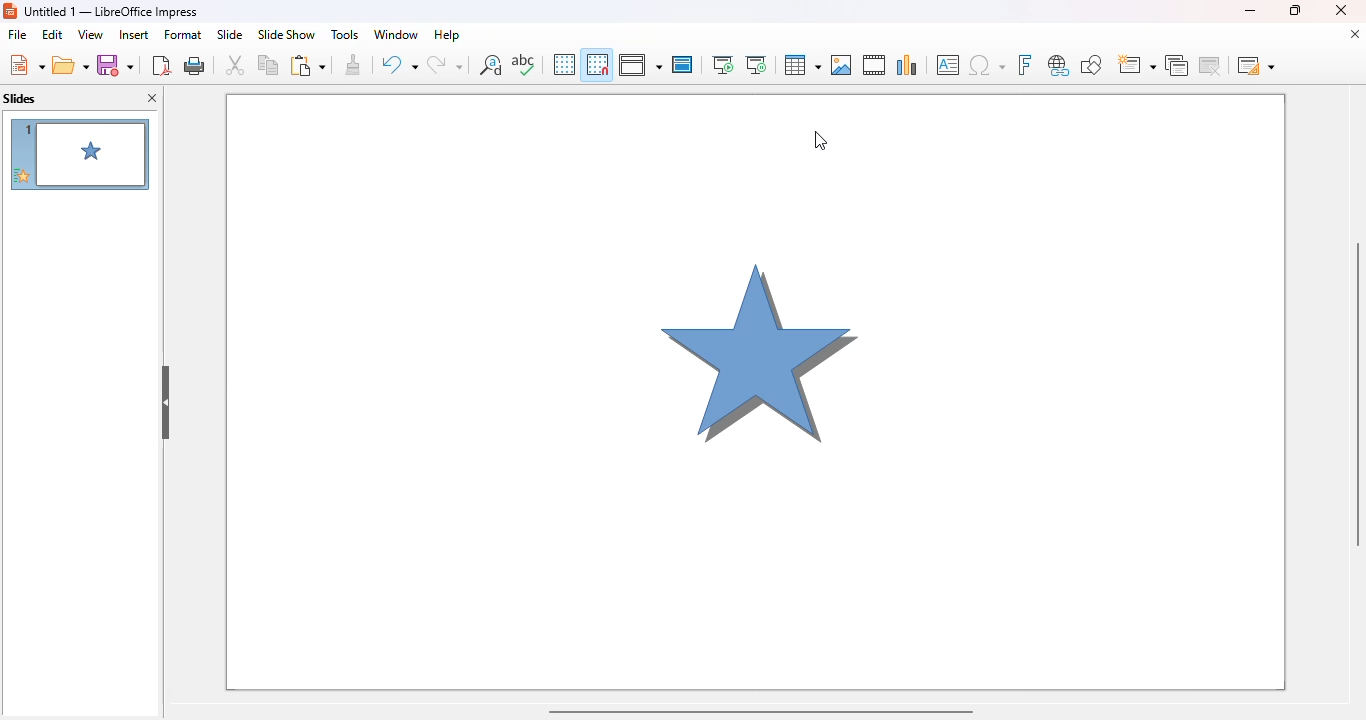 This screenshot has width=1366, height=720. What do you see at coordinates (683, 64) in the screenshot?
I see `master slide` at bounding box center [683, 64].